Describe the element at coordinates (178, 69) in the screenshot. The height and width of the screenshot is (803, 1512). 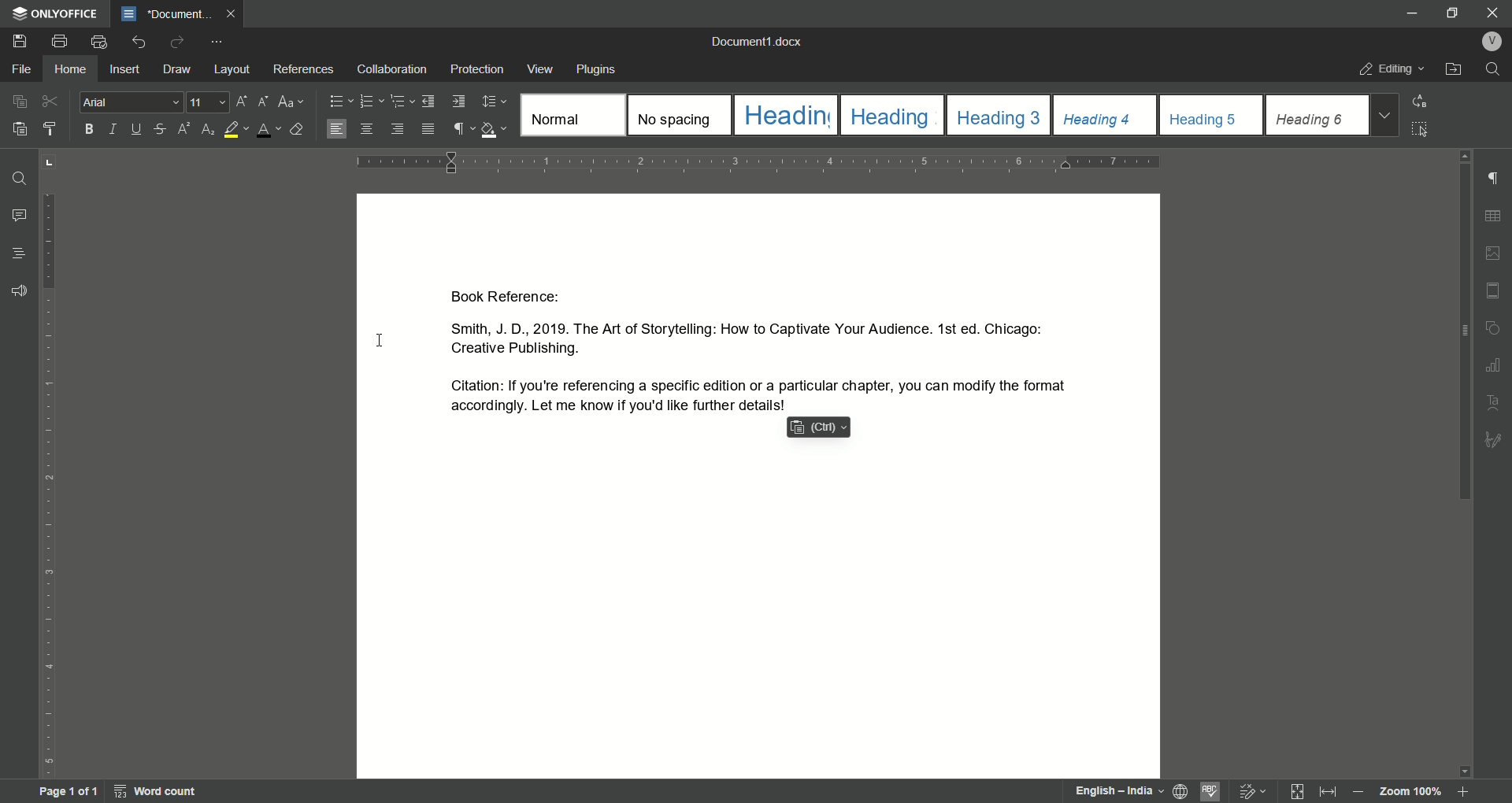
I see `draw` at that location.